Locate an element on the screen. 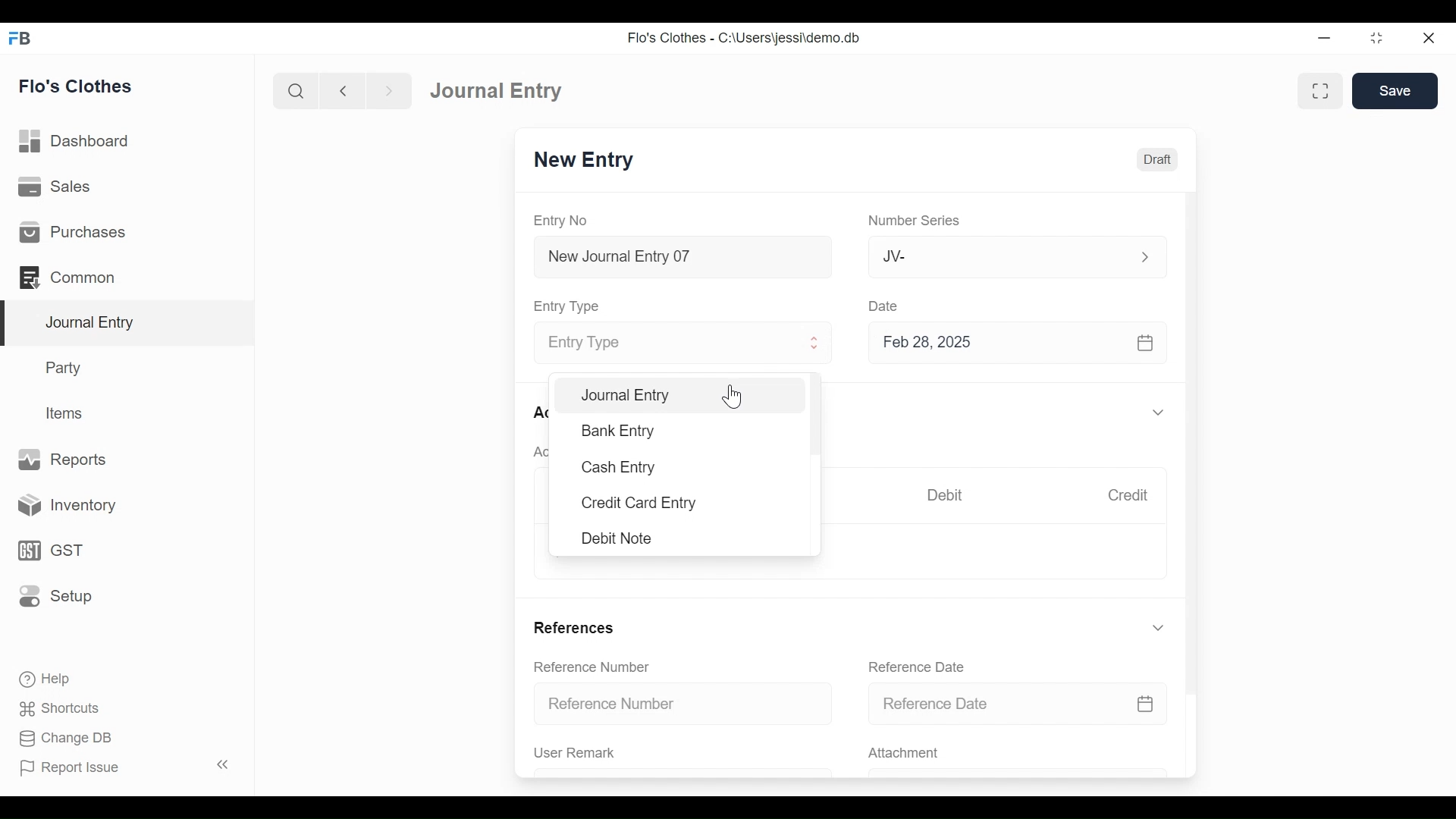 This screenshot has width=1456, height=819. Setup is located at coordinates (55, 595).